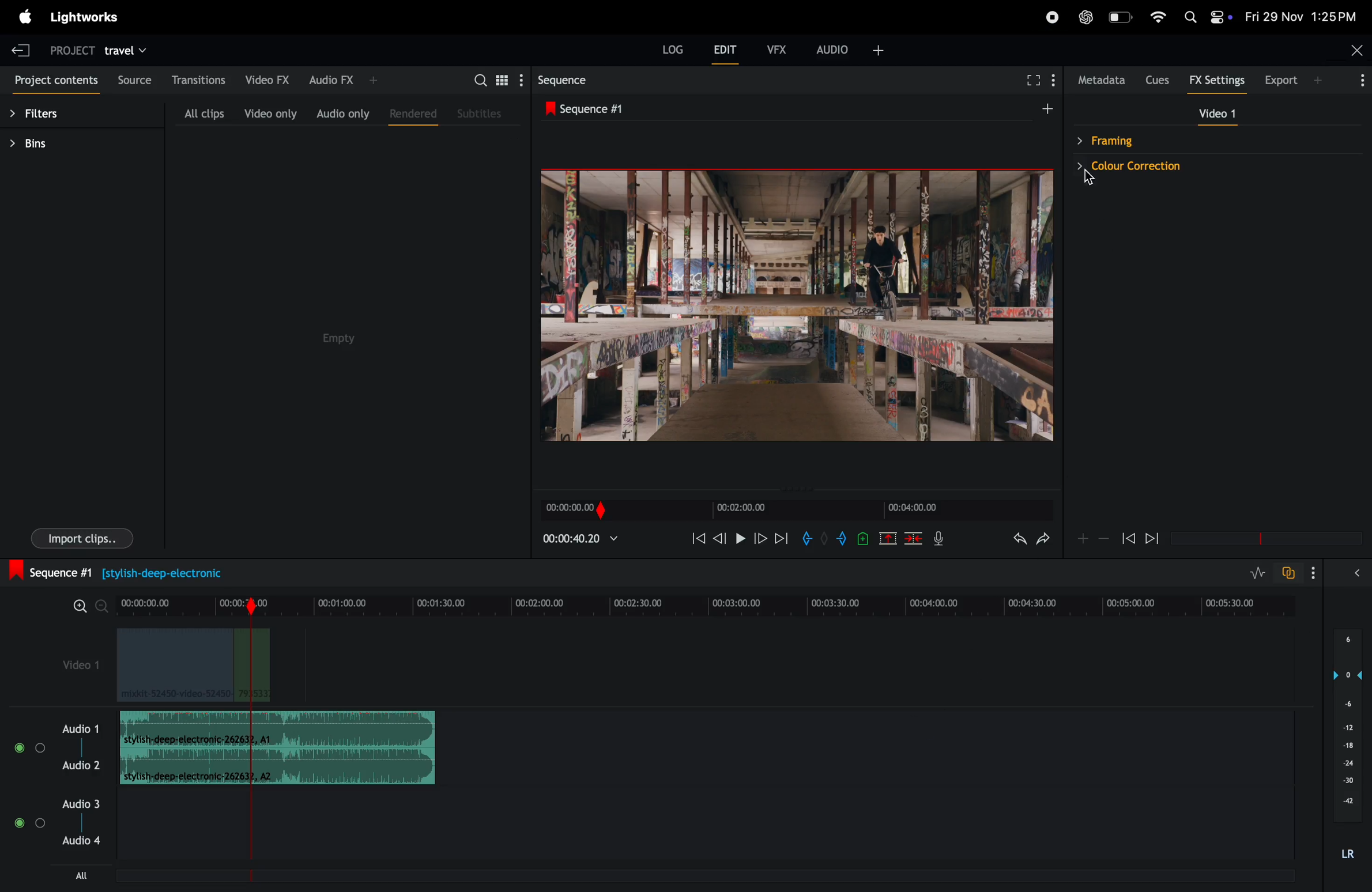 The image size is (1372, 892). What do you see at coordinates (711, 600) in the screenshot?
I see `time frame` at bounding box center [711, 600].